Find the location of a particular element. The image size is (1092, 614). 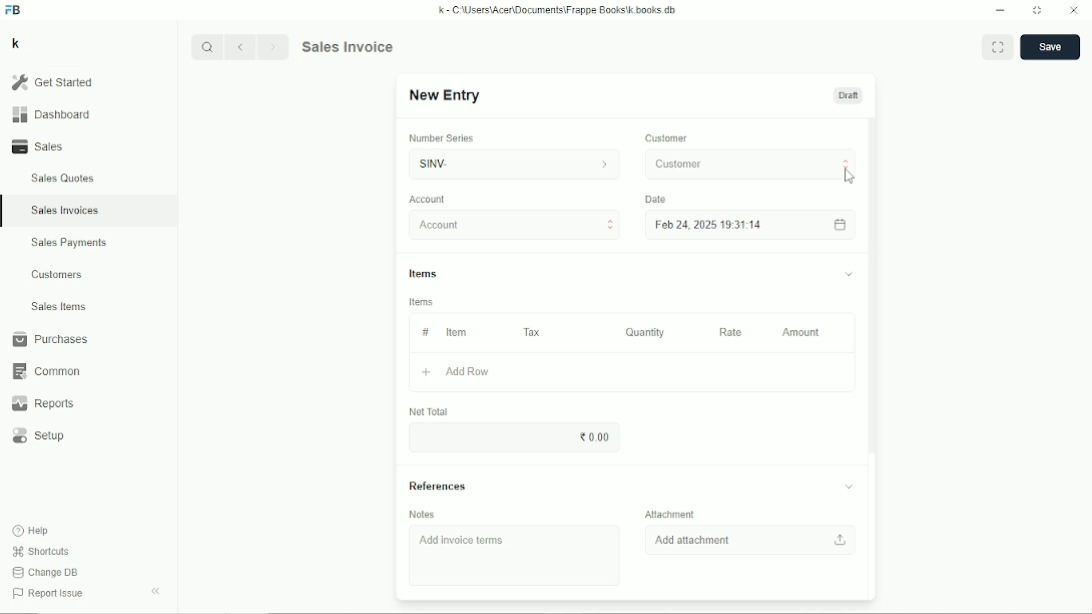

New entry is located at coordinates (445, 96).